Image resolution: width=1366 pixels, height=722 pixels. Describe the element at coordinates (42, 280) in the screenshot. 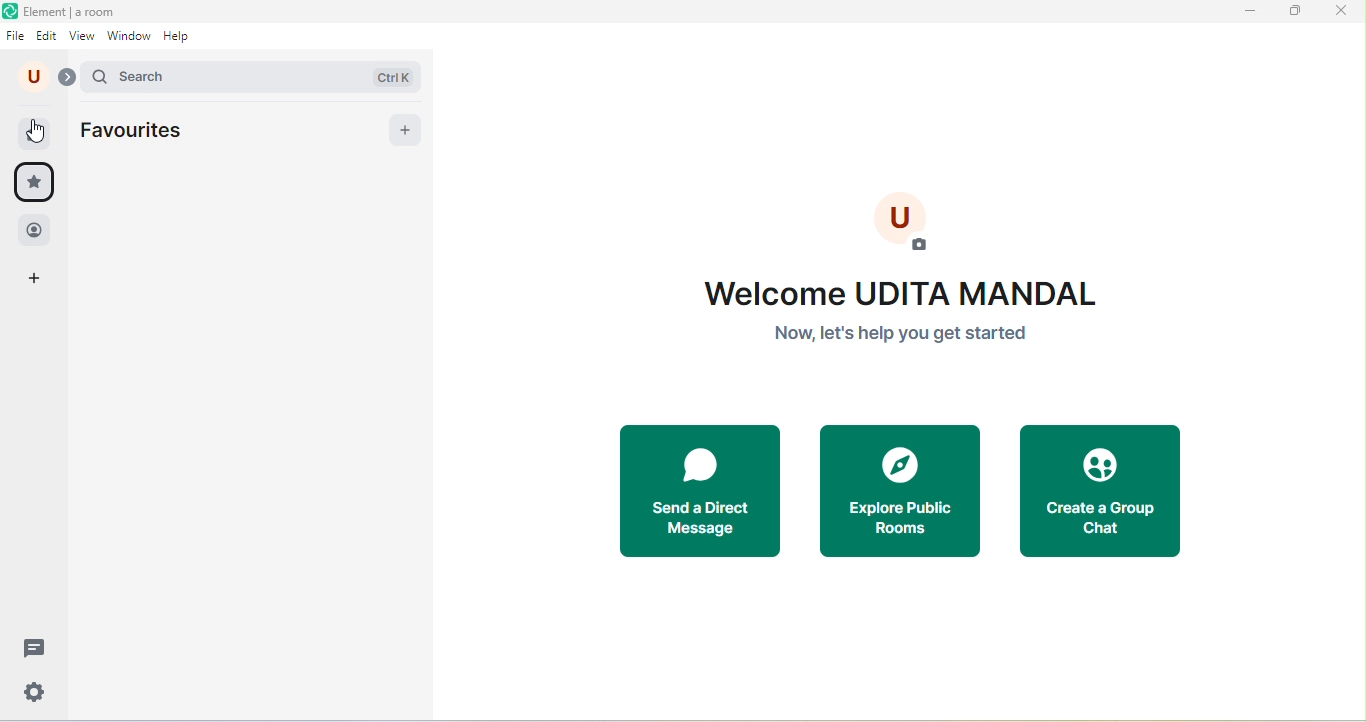

I see `create a space` at that location.